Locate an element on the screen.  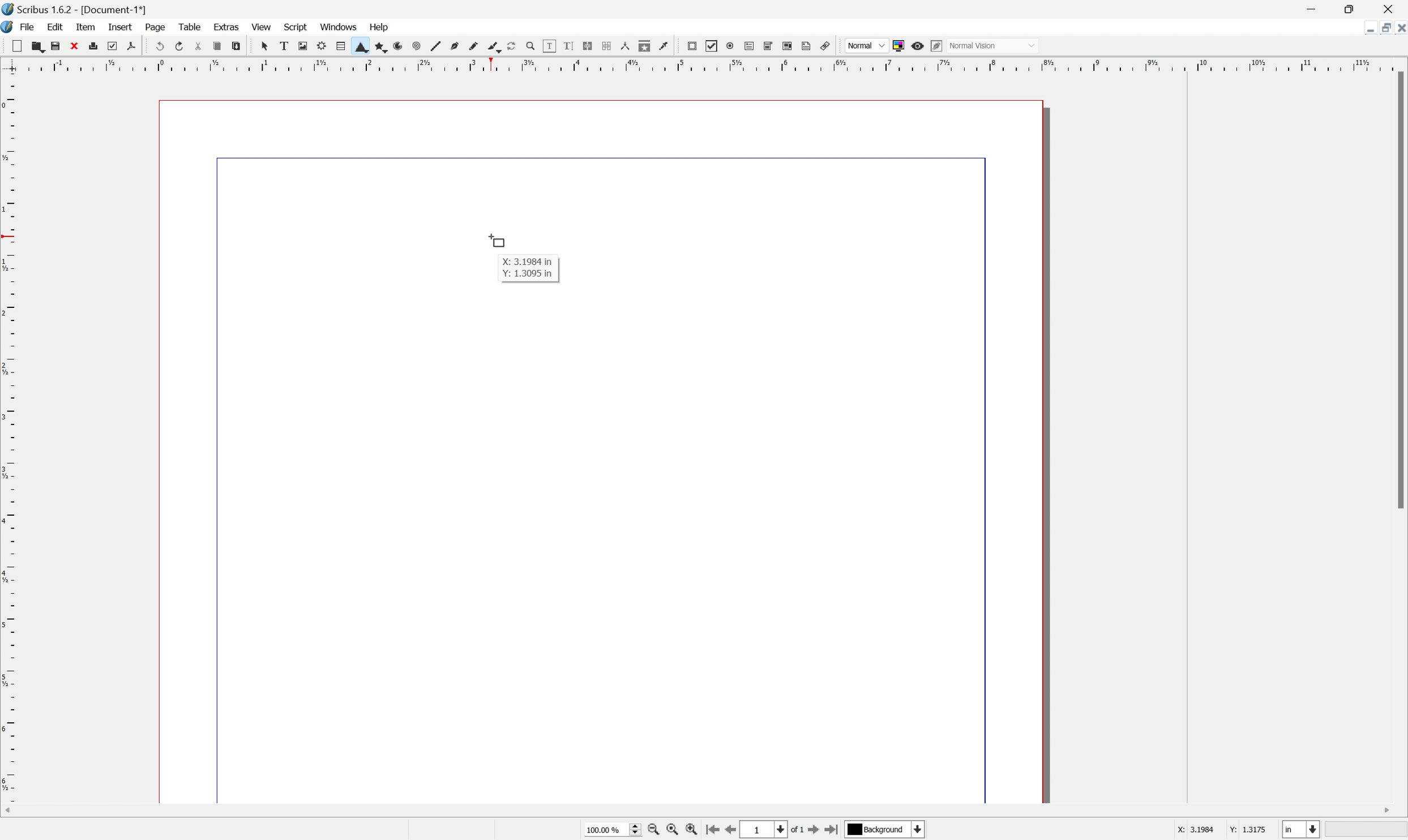
Page is located at coordinates (155, 27).